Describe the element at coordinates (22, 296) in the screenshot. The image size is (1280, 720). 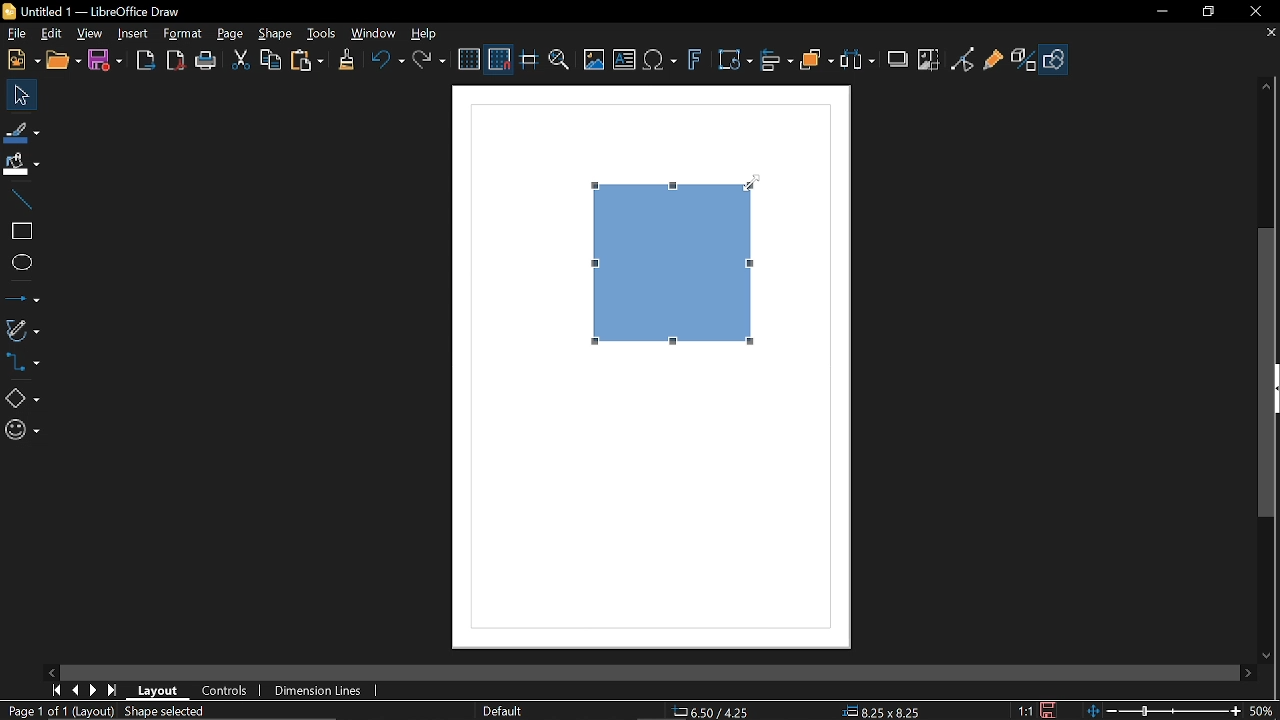
I see `Arrow` at that location.